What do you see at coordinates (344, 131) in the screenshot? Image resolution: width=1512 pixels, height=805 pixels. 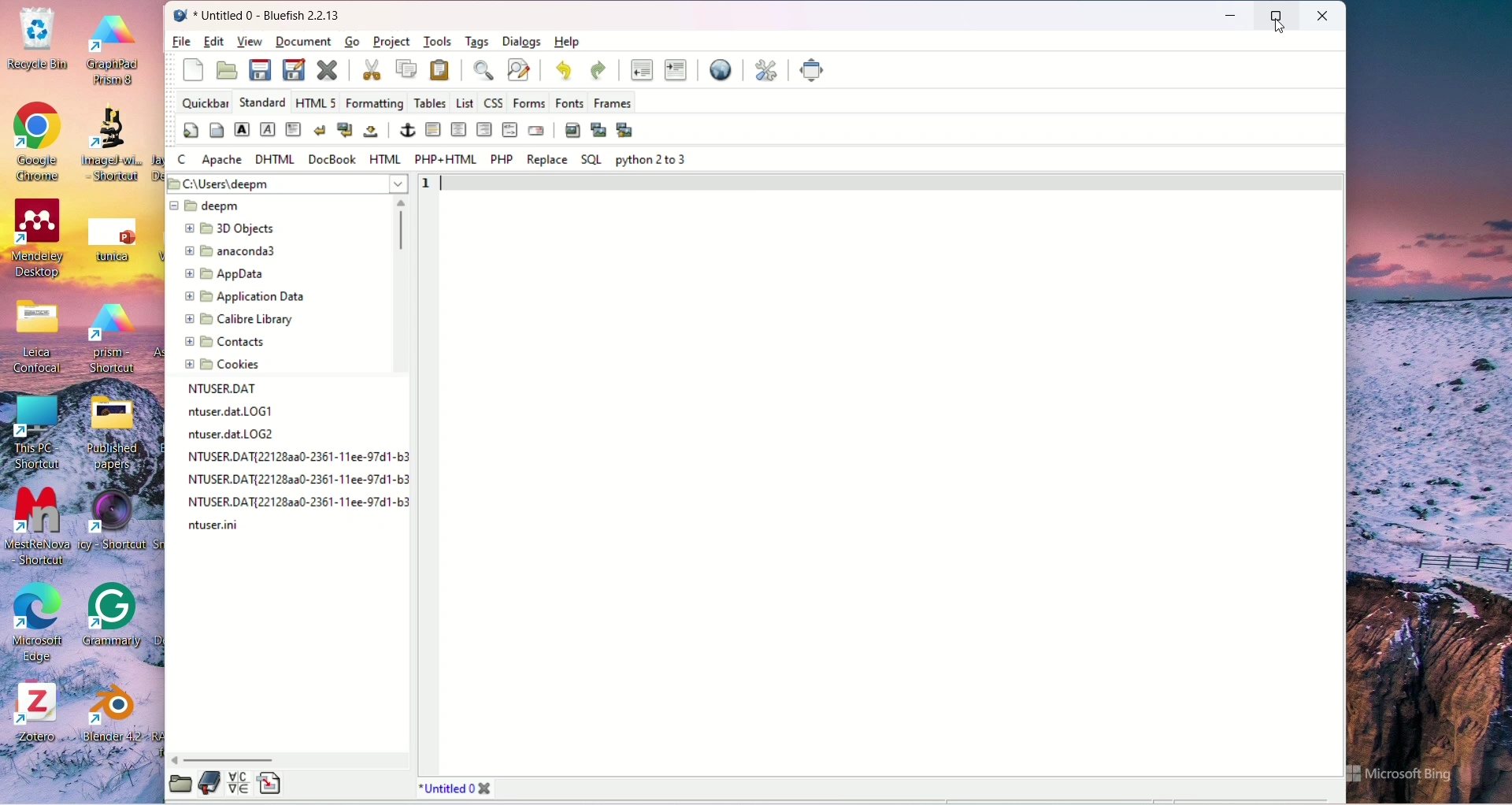 I see `break and clear` at bounding box center [344, 131].